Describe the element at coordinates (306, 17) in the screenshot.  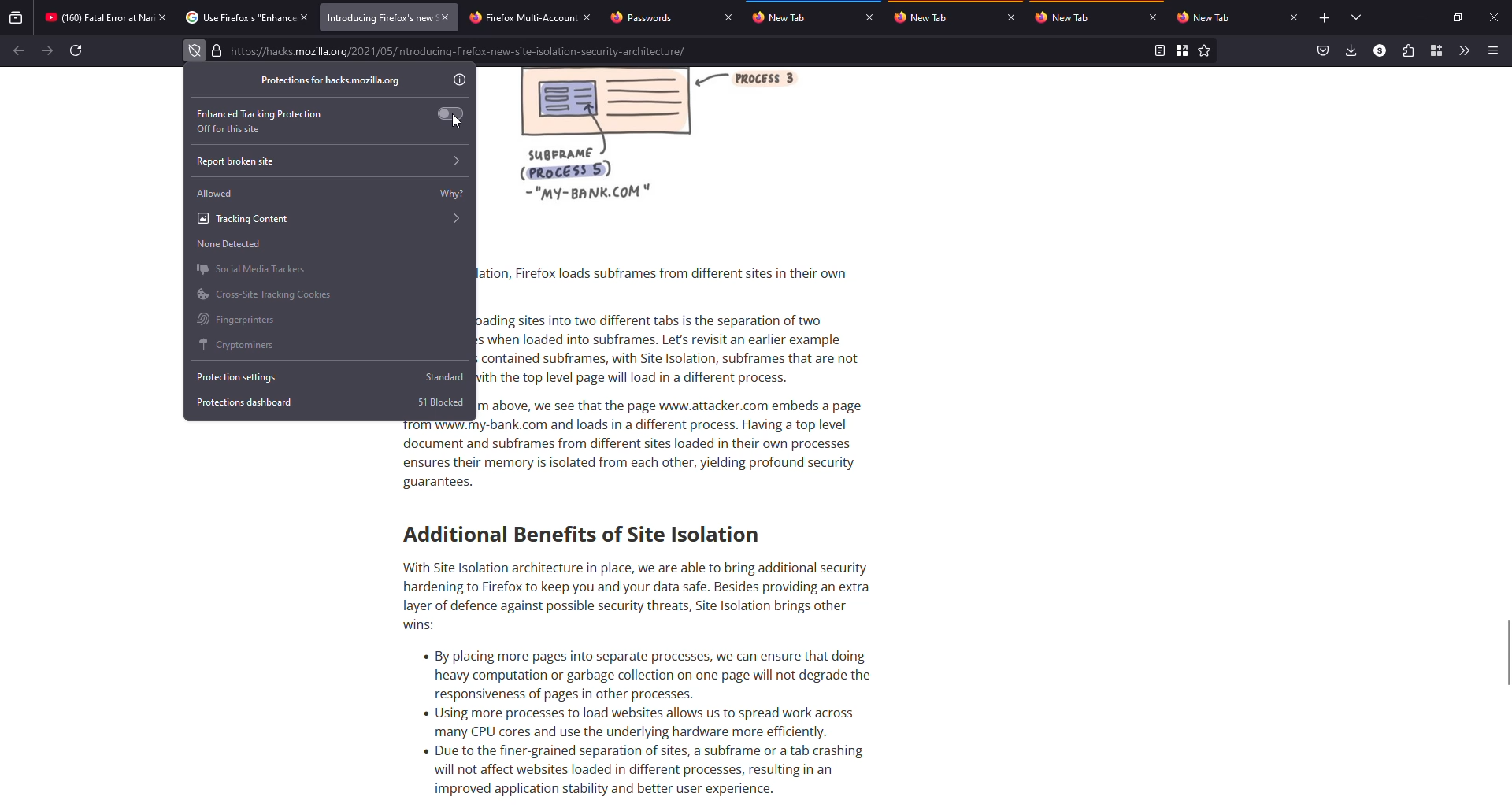
I see `close` at that location.